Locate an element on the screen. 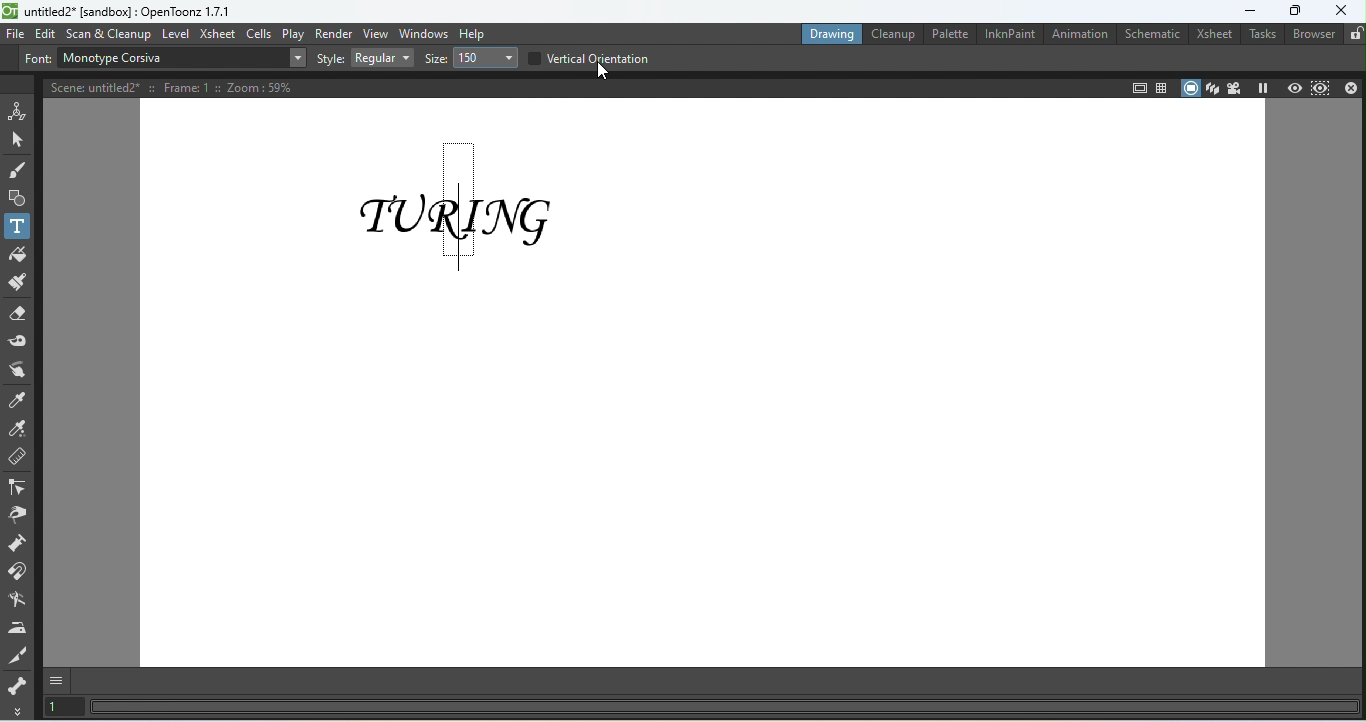  Windows is located at coordinates (424, 32).